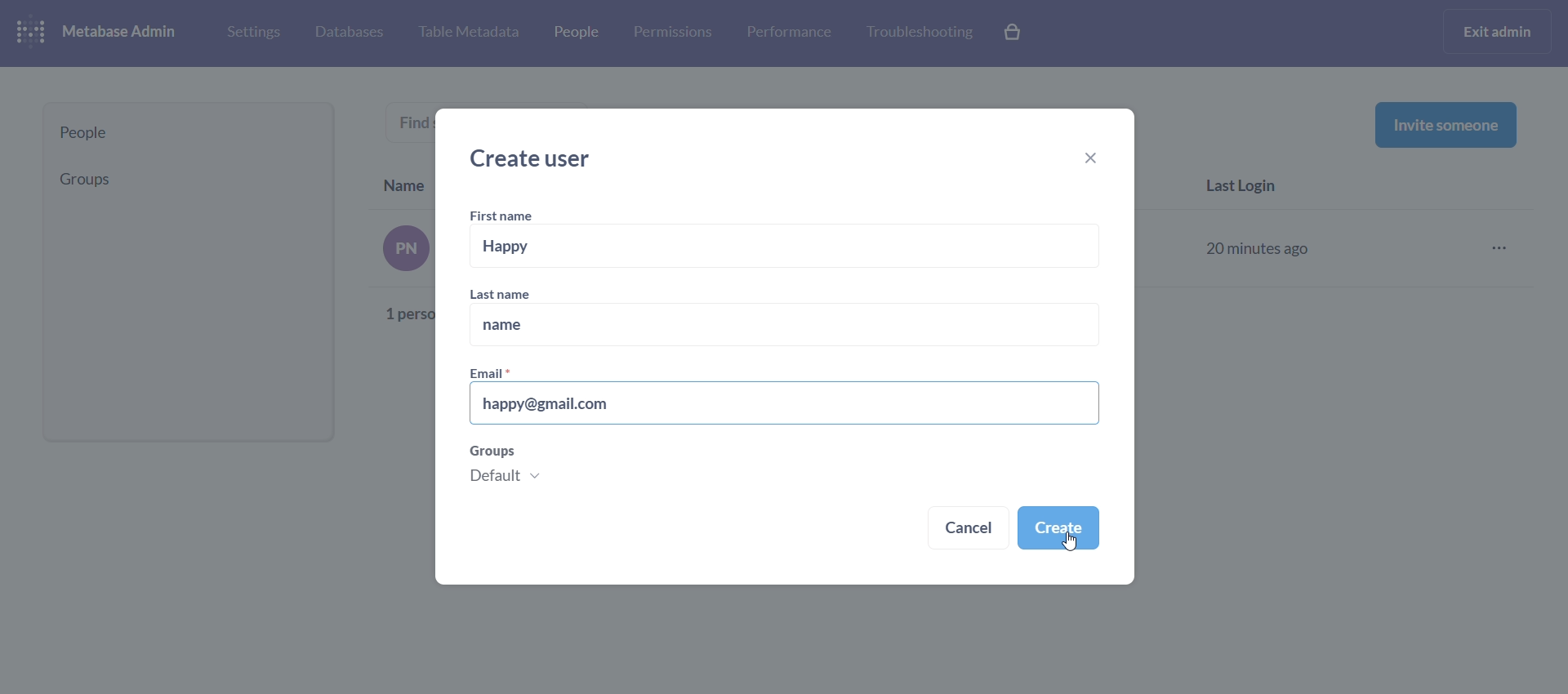 The height and width of the screenshot is (694, 1568). I want to click on happy, so click(787, 247).